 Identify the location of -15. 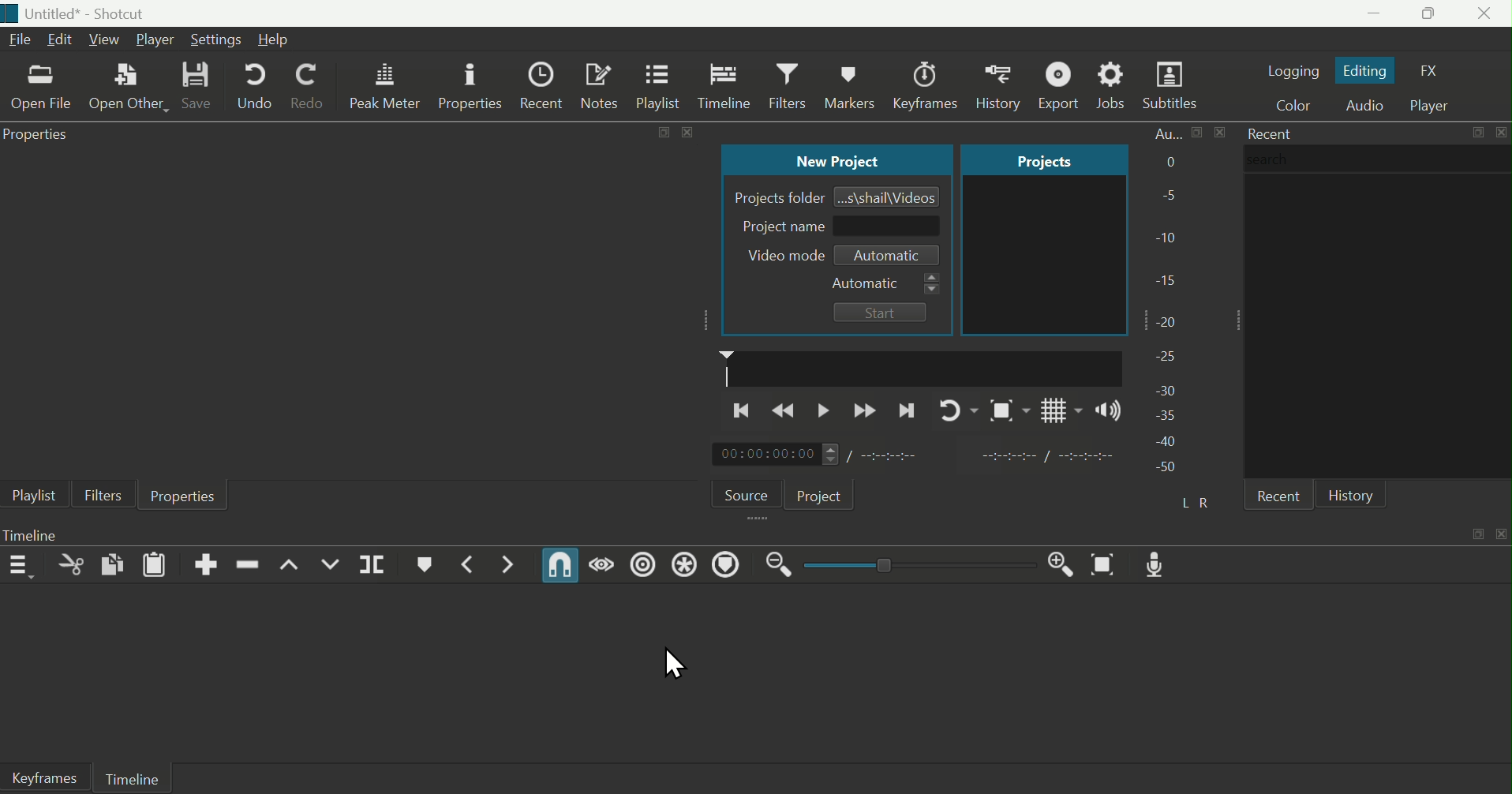
(1168, 276).